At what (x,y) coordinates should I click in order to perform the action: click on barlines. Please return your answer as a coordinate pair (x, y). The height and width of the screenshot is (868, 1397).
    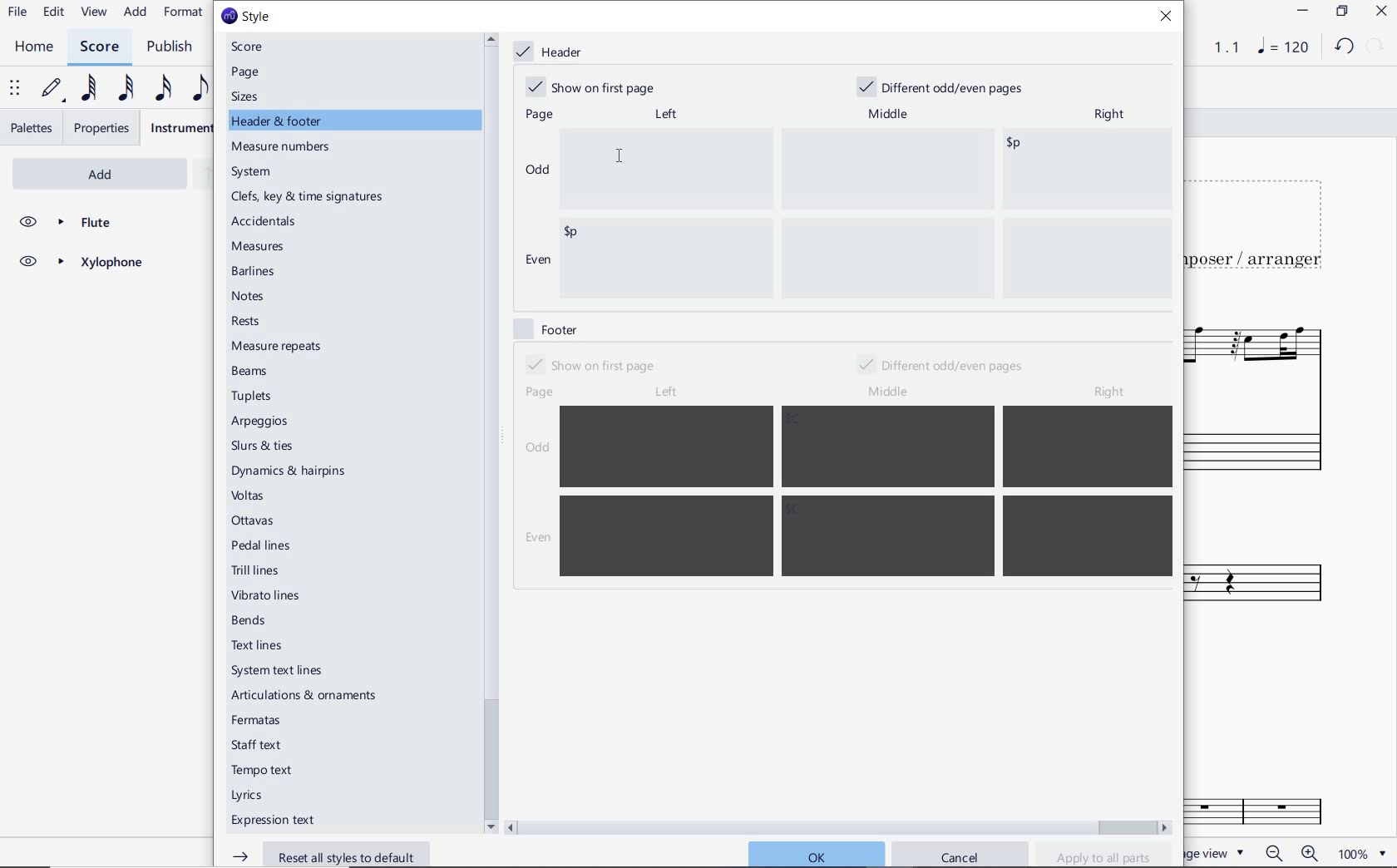
    Looking at the image, I should click on (256, 273).